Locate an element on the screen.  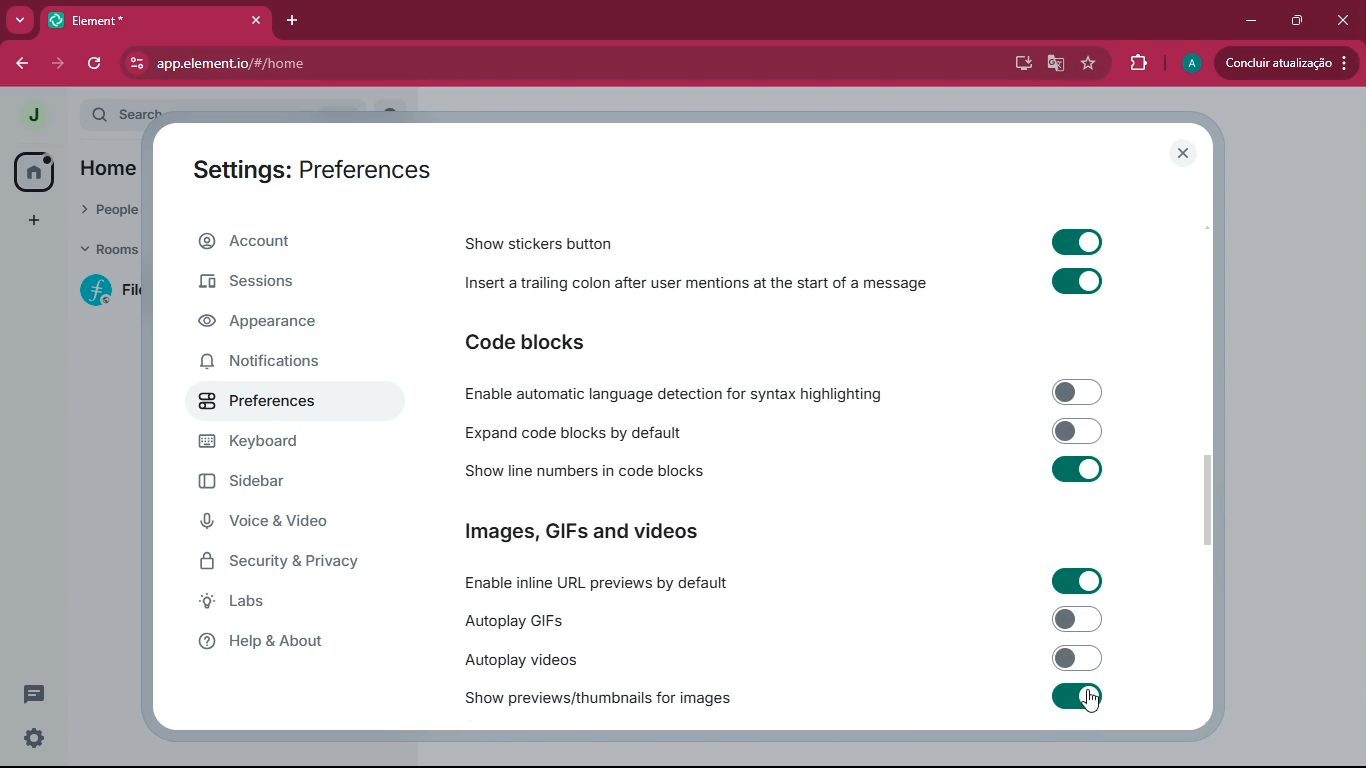
Voice & Video is located at coordinates (274, 524).